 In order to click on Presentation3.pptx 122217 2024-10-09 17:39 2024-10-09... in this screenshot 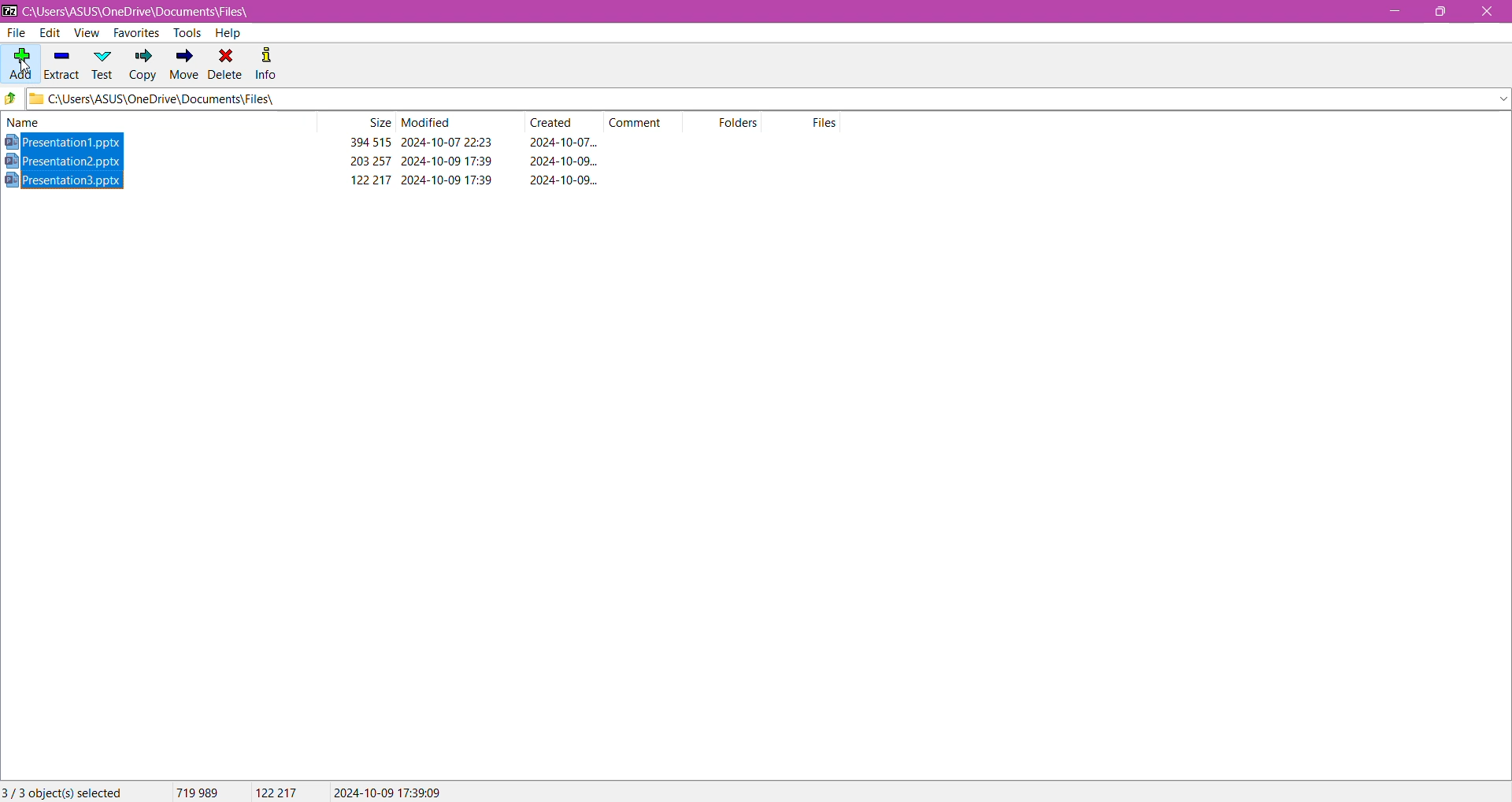, I will do `click(315, 180)`.